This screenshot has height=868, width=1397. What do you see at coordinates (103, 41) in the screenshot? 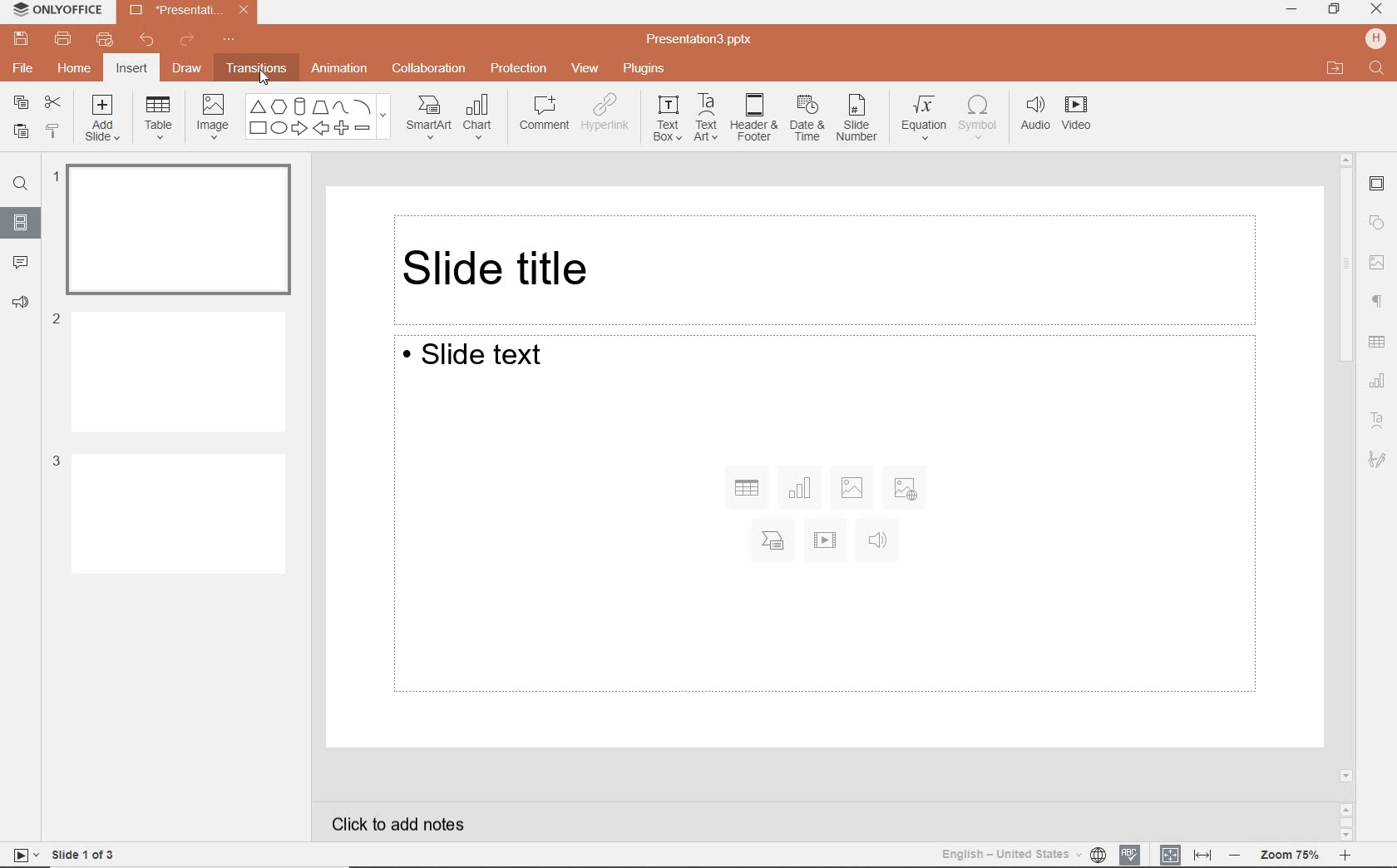
I see `quick print` at bounding box center [103, 41].